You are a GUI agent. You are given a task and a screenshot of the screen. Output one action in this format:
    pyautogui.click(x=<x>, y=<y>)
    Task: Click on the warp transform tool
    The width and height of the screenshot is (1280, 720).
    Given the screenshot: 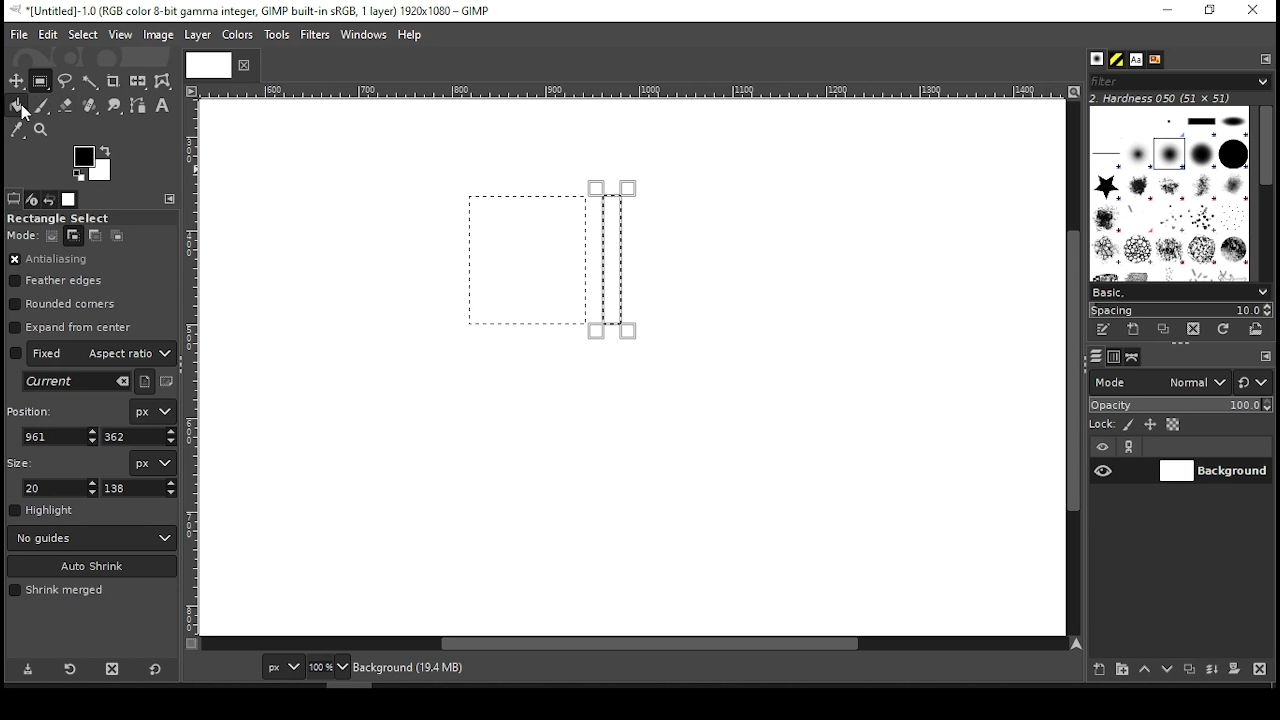 What is the action you would take?
    pyautogui.click(x=162, y=82)
    